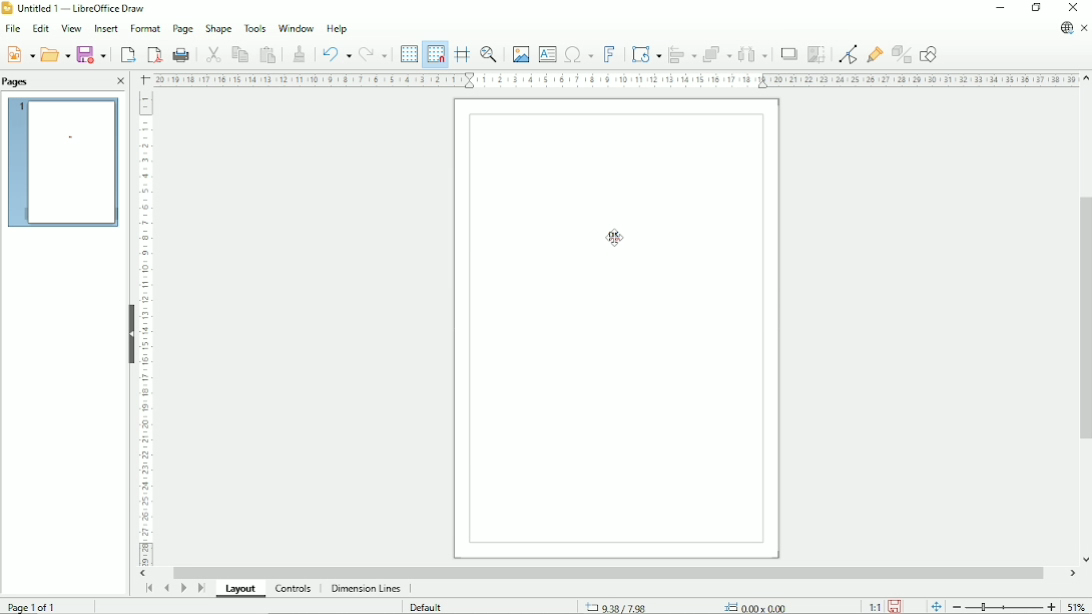  Describe the element at coordinates (147, 574) in the screenshot. I see `Horizontal scroll button` at that location.